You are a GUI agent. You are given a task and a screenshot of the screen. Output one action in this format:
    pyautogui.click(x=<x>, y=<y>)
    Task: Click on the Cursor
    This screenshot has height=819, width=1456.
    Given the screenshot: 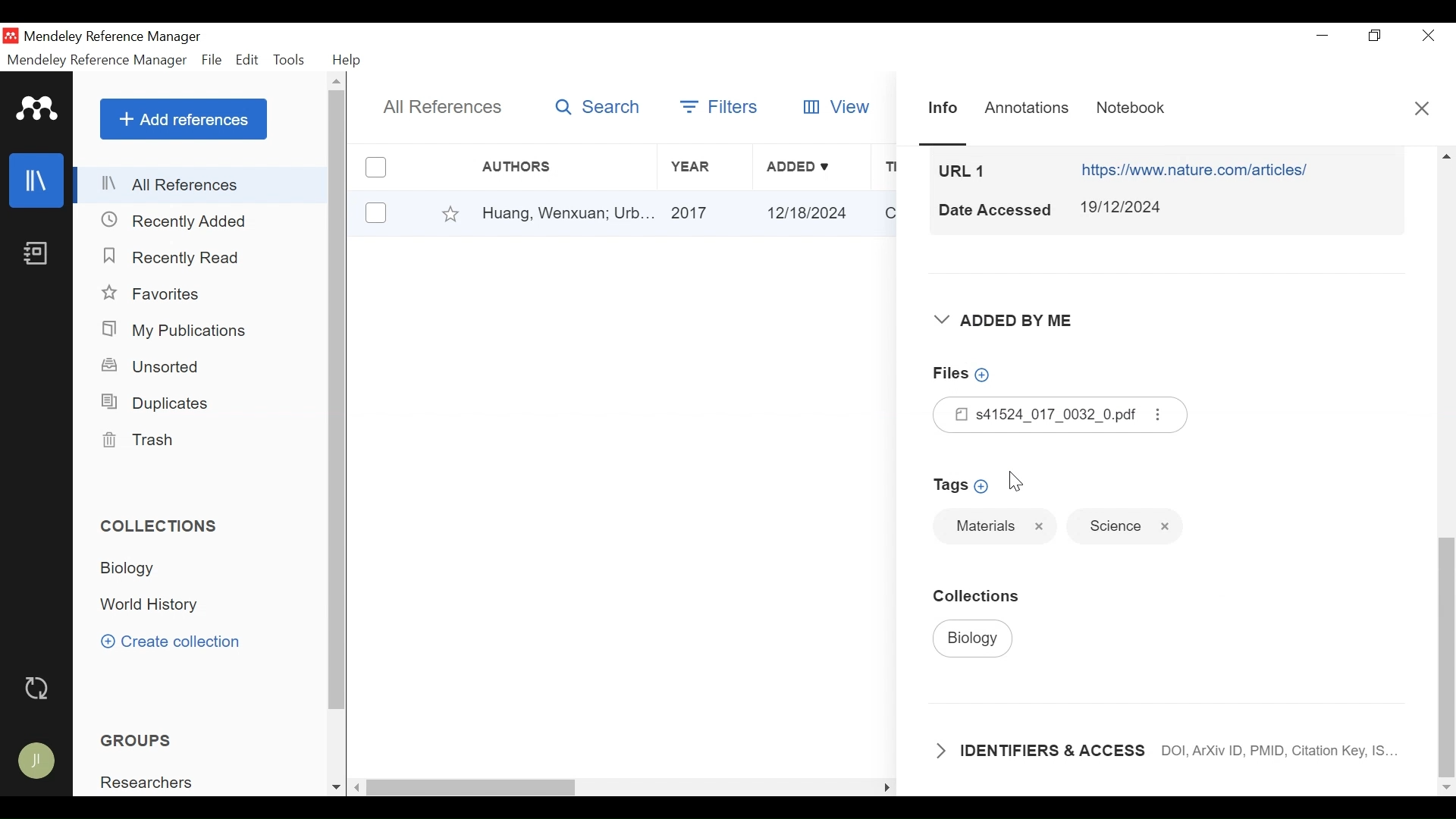 What is the action you would take?
    pyautogui.click(x=1018, y=482)
    